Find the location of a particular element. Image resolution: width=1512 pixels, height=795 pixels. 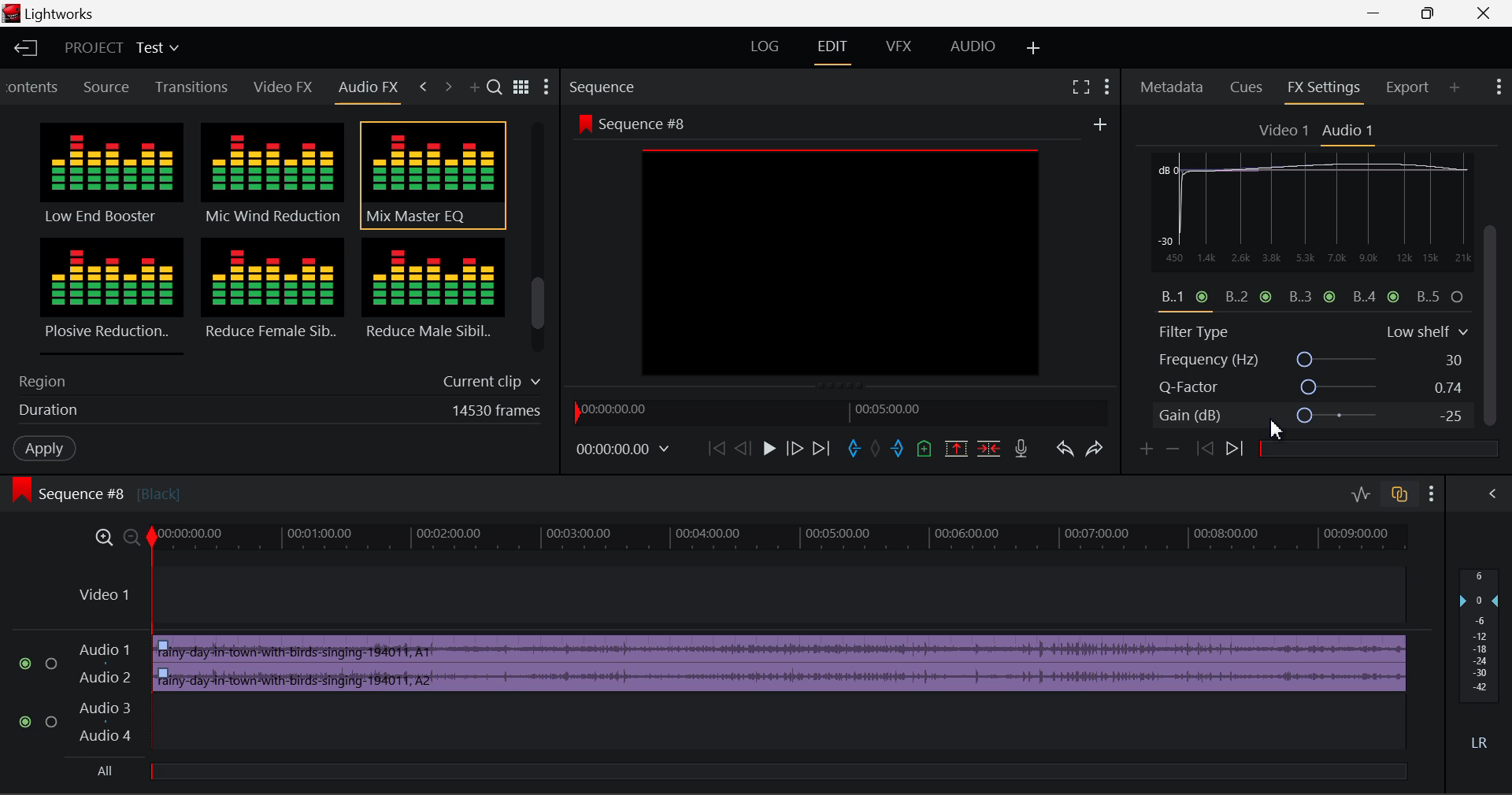

Export is located at coordinates (1408, 87).